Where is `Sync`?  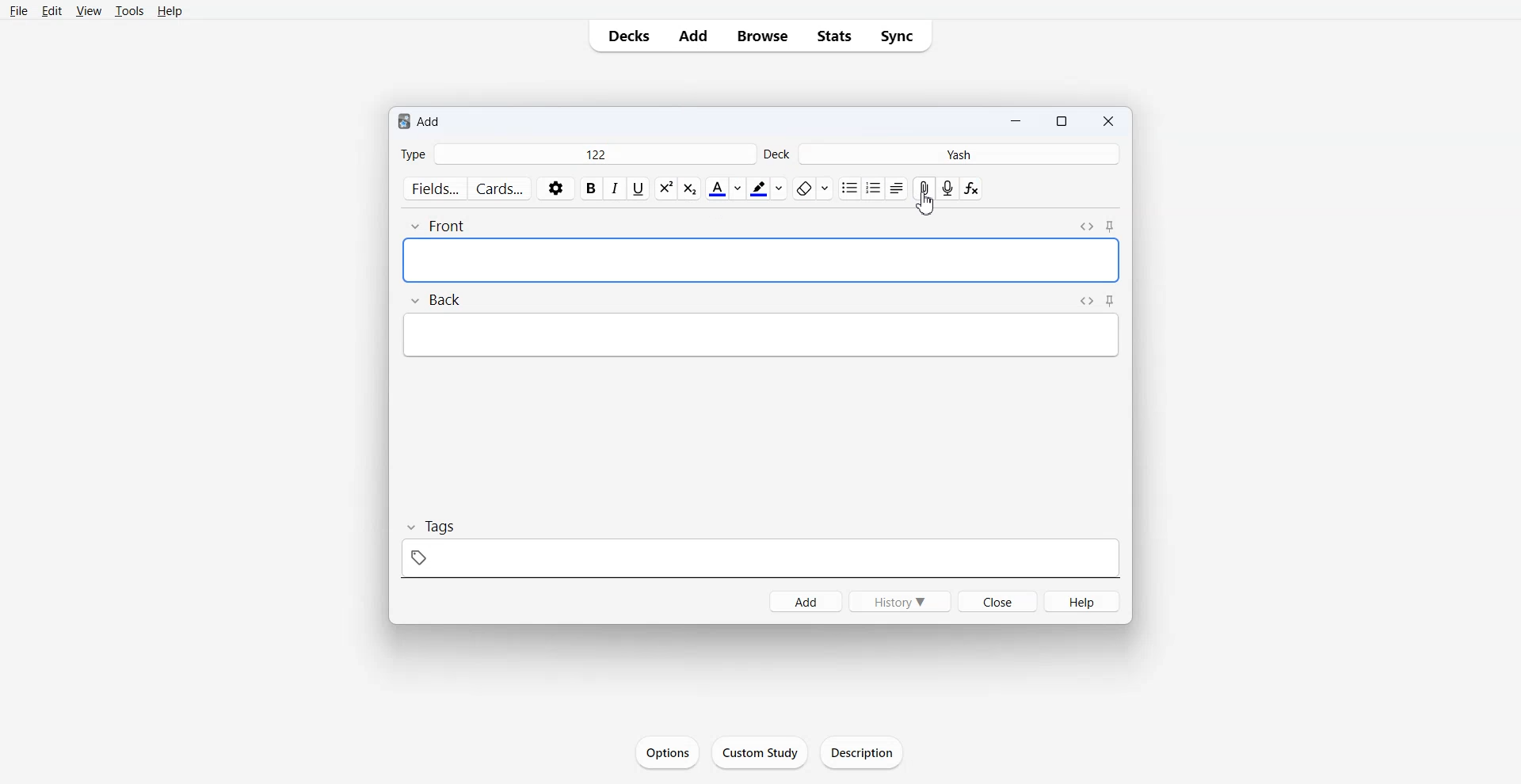
Sync is located at coordinates (898, 36).